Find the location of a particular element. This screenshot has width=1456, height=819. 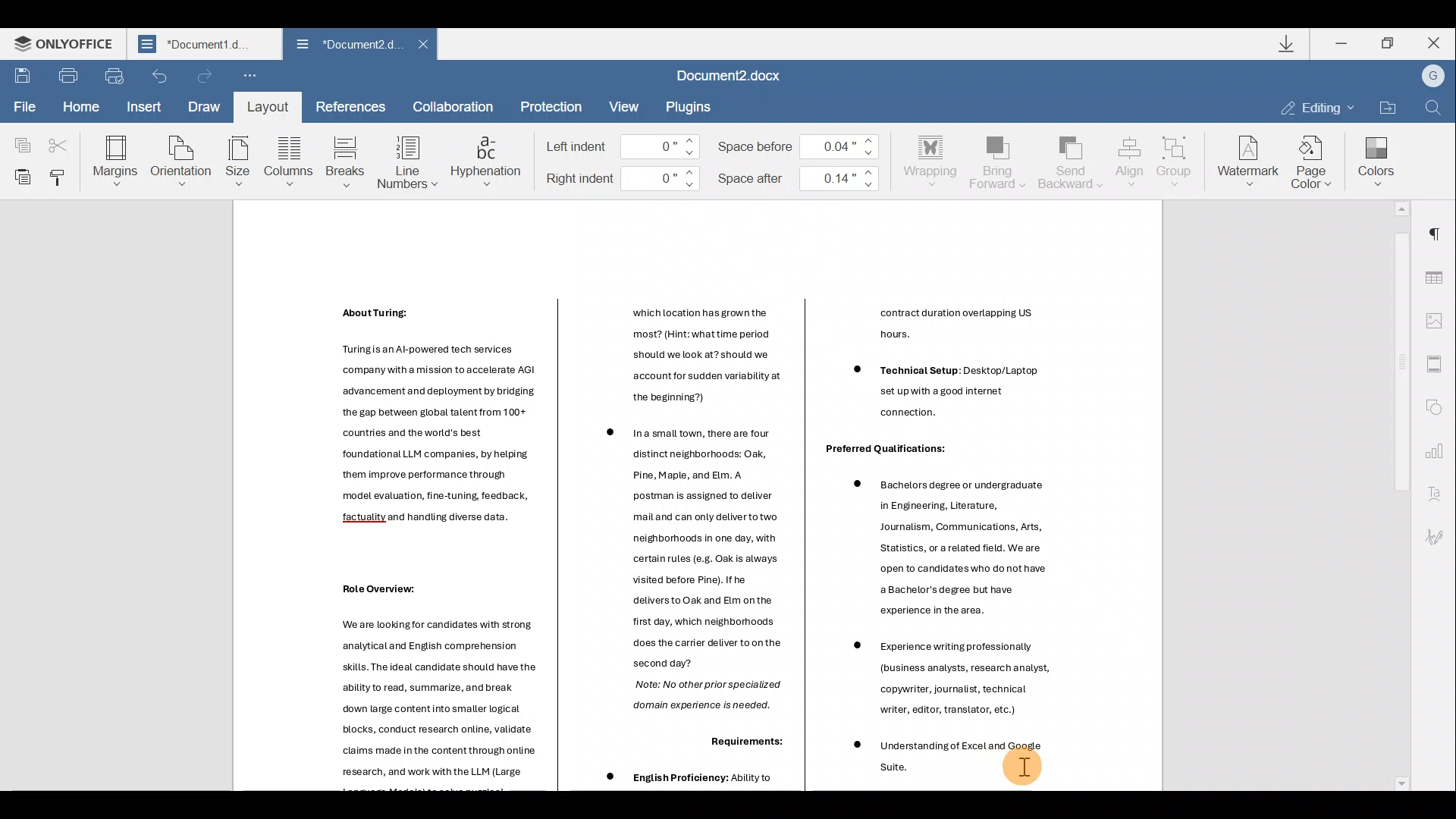

Send backward is located at coordinates (1068, 161).